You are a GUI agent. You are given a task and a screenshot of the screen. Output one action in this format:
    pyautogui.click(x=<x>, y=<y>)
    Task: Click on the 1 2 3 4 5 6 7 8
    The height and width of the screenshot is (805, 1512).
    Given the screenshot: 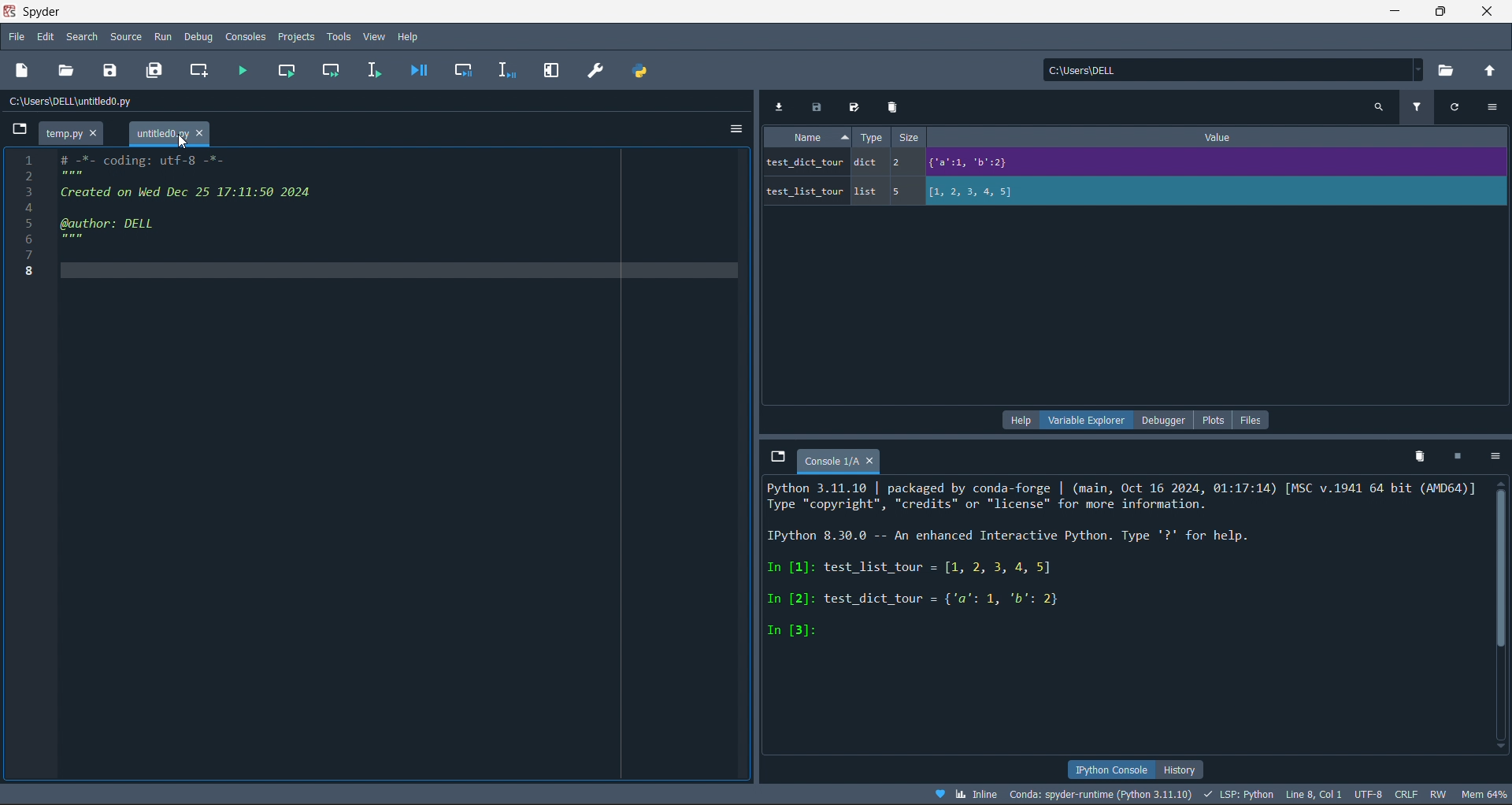 What is the action you would take?
    pyautogui.click(x=20, y=213)
    